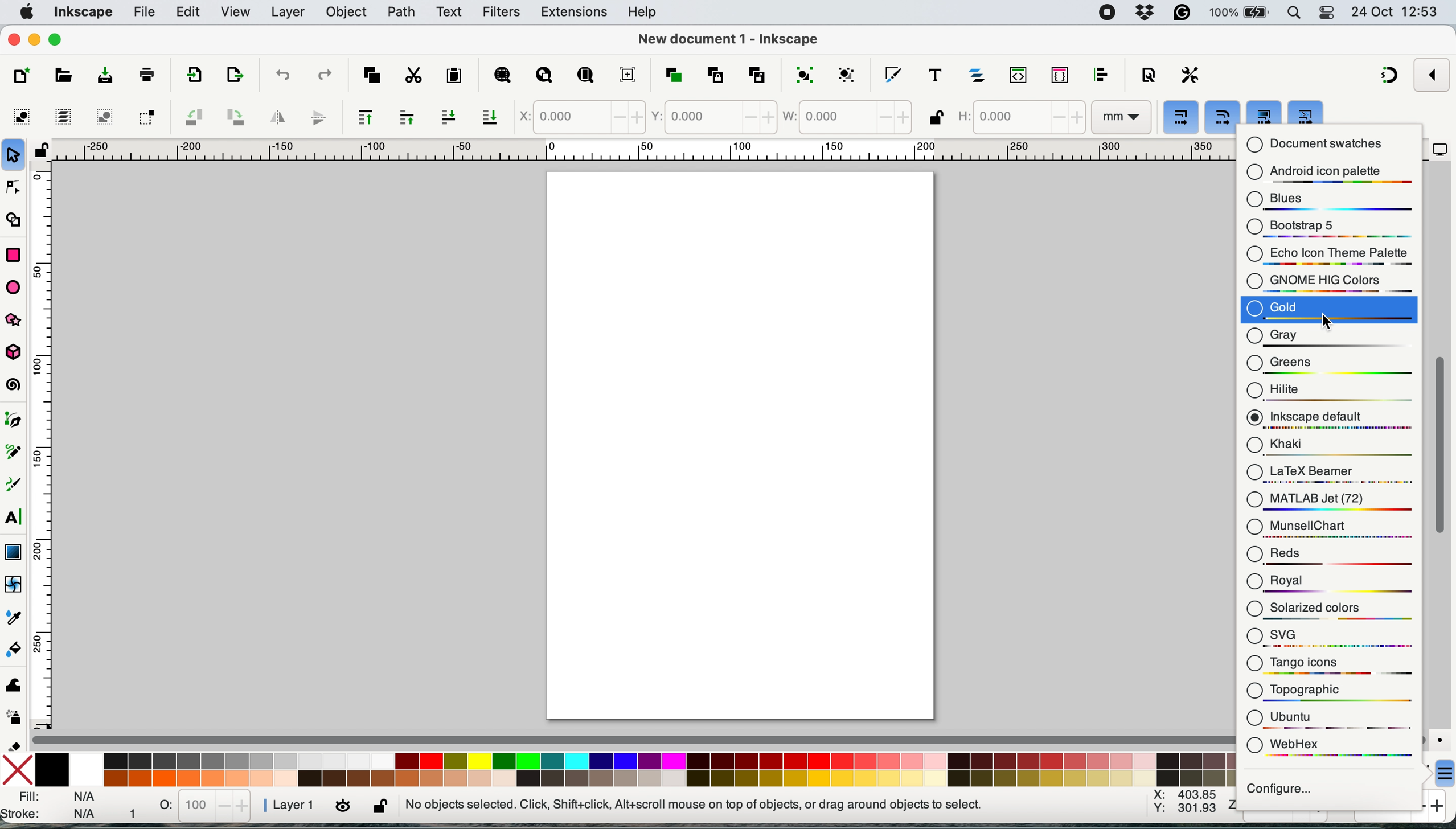 Image resolution: width=1456 pixels, height=829 pixels. I want to click on zoom page, so click(583, 75).